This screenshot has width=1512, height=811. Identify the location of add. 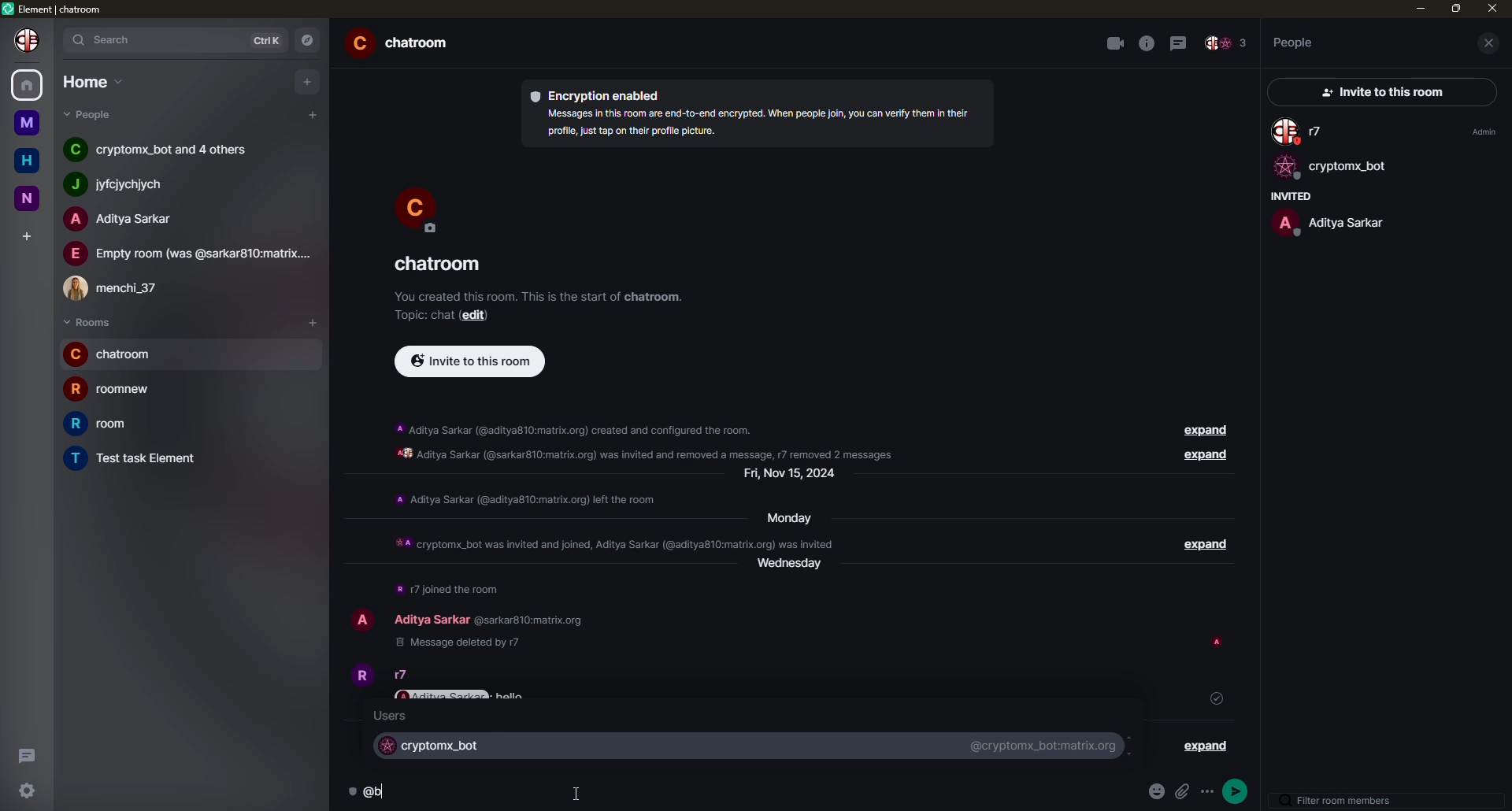
(313, 114).